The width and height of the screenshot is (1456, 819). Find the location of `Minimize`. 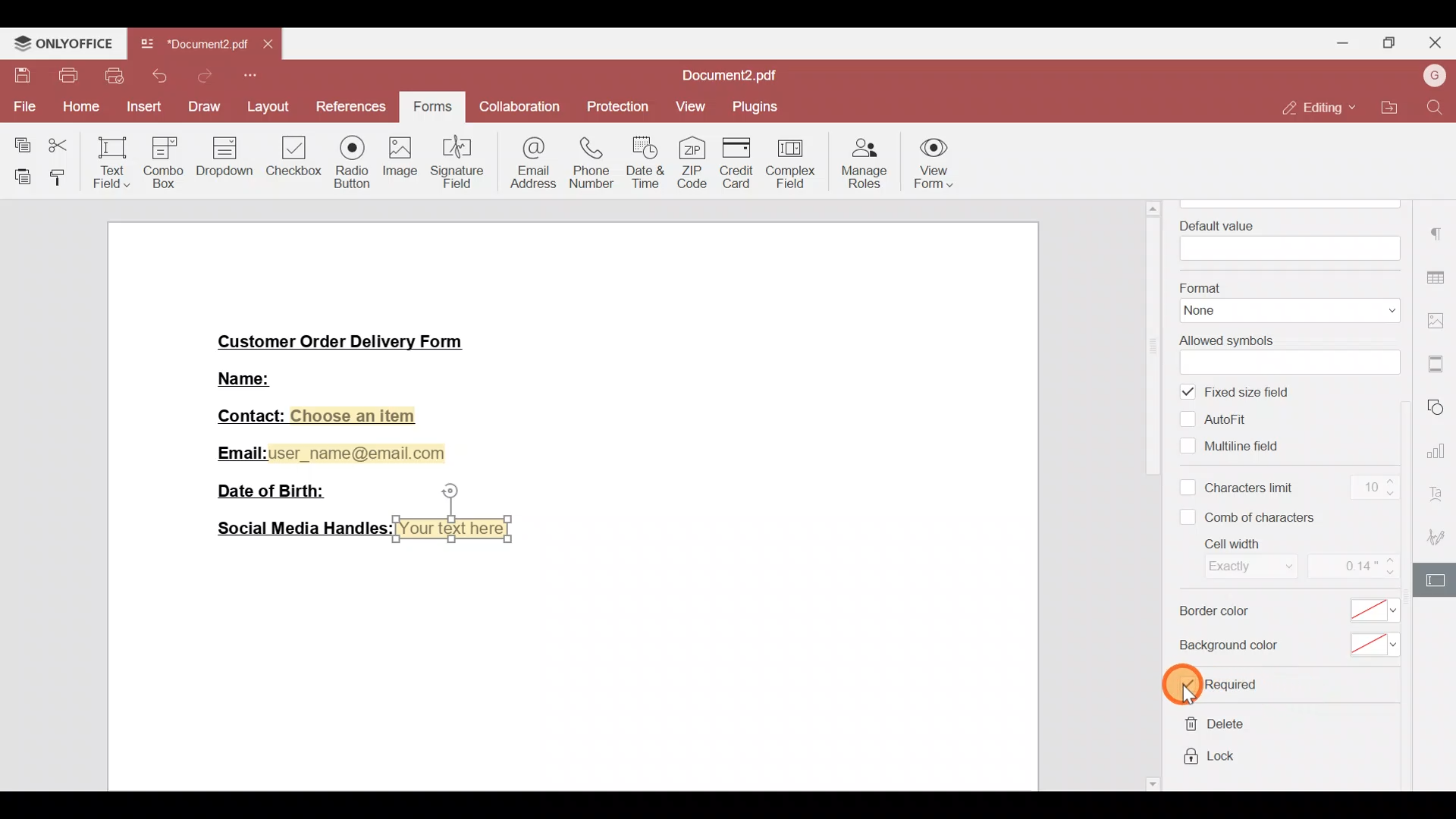

Minimize is located at coordinates (1343, 42).